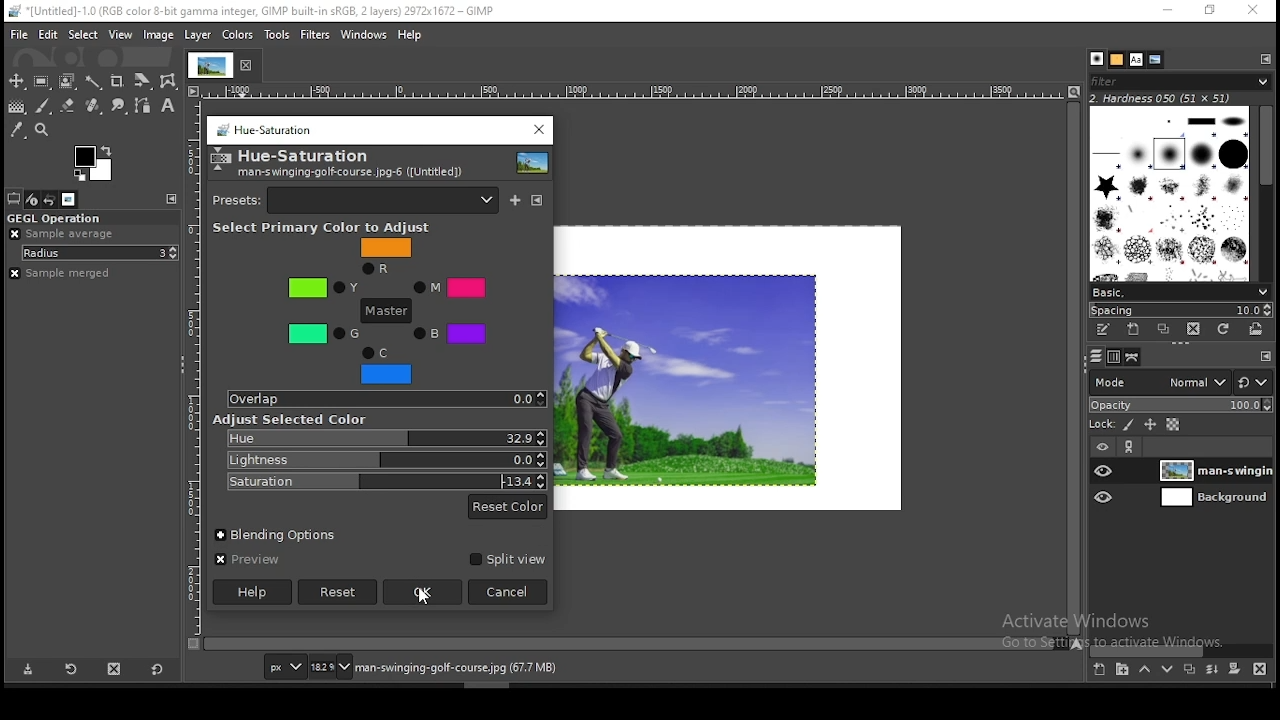 This screenshot has height=720, width=1280. What do you see at coordinates (1167, 669) in the screenshot?
I see `move layer on step down` at bounding box center [1167, 669].